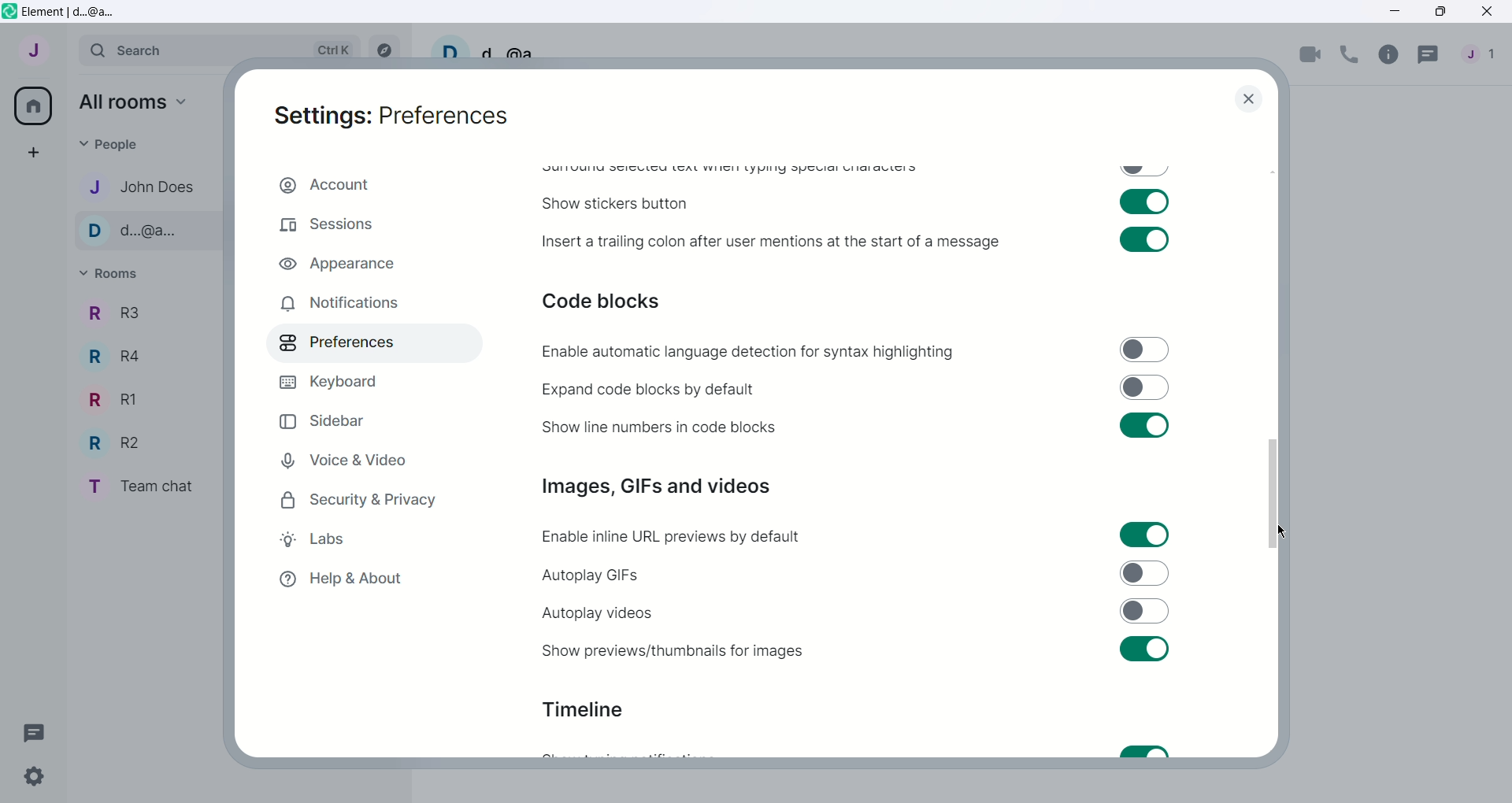 This screenshot has width=1512, height=803. I want to click on Labs, so click(360, 539).